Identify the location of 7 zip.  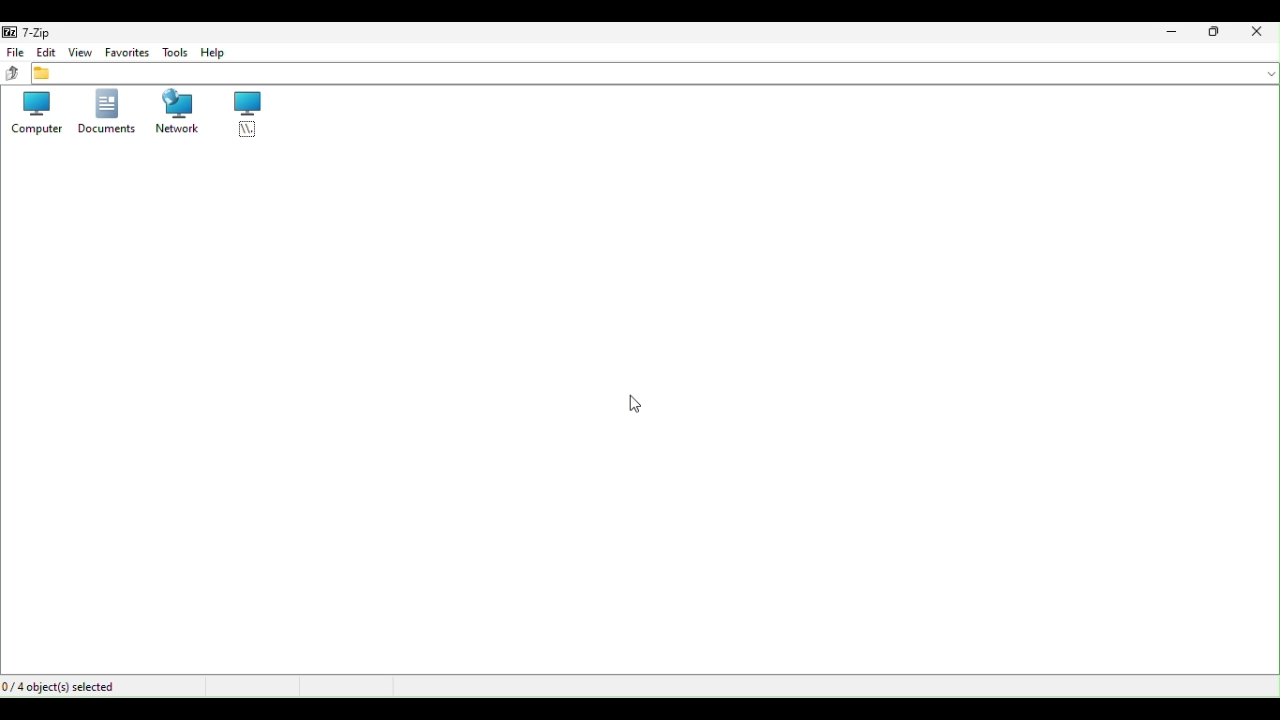
(37, 29).